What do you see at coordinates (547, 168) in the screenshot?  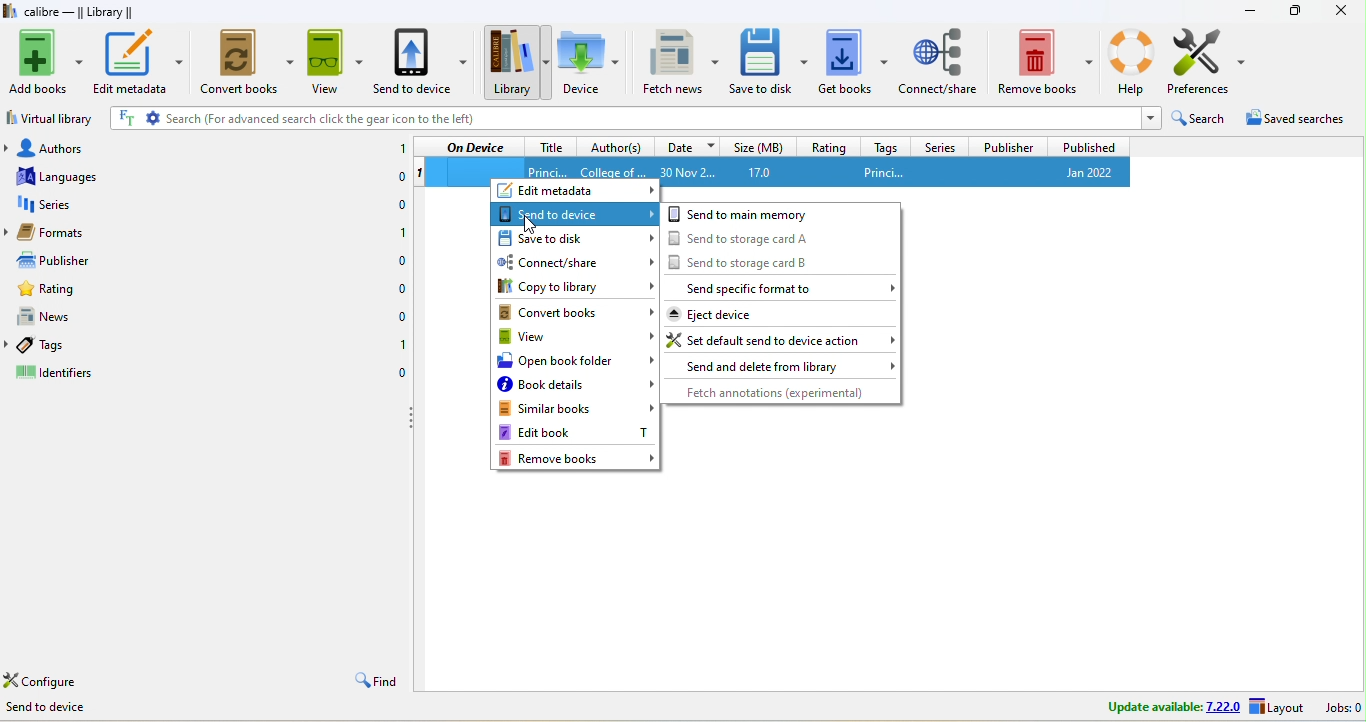 I see `title` at bounding box center [547, 168].